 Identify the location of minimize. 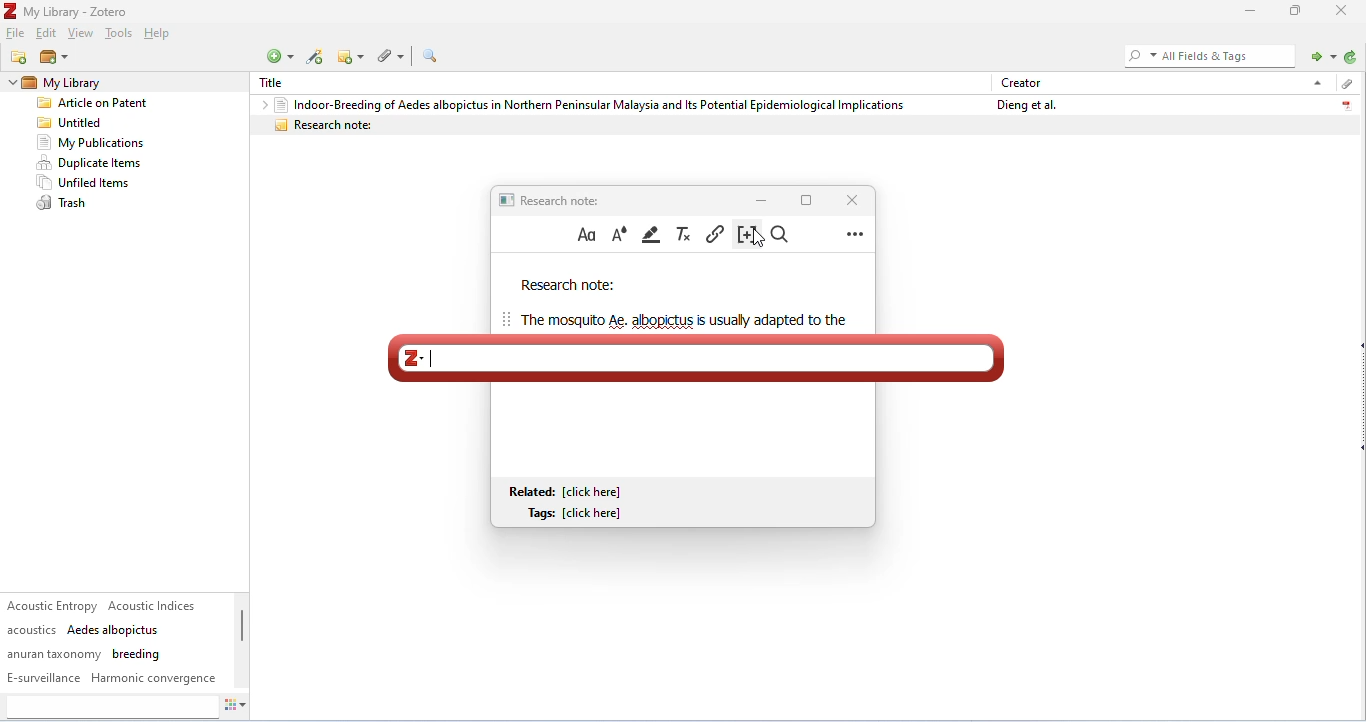
(762, 199).